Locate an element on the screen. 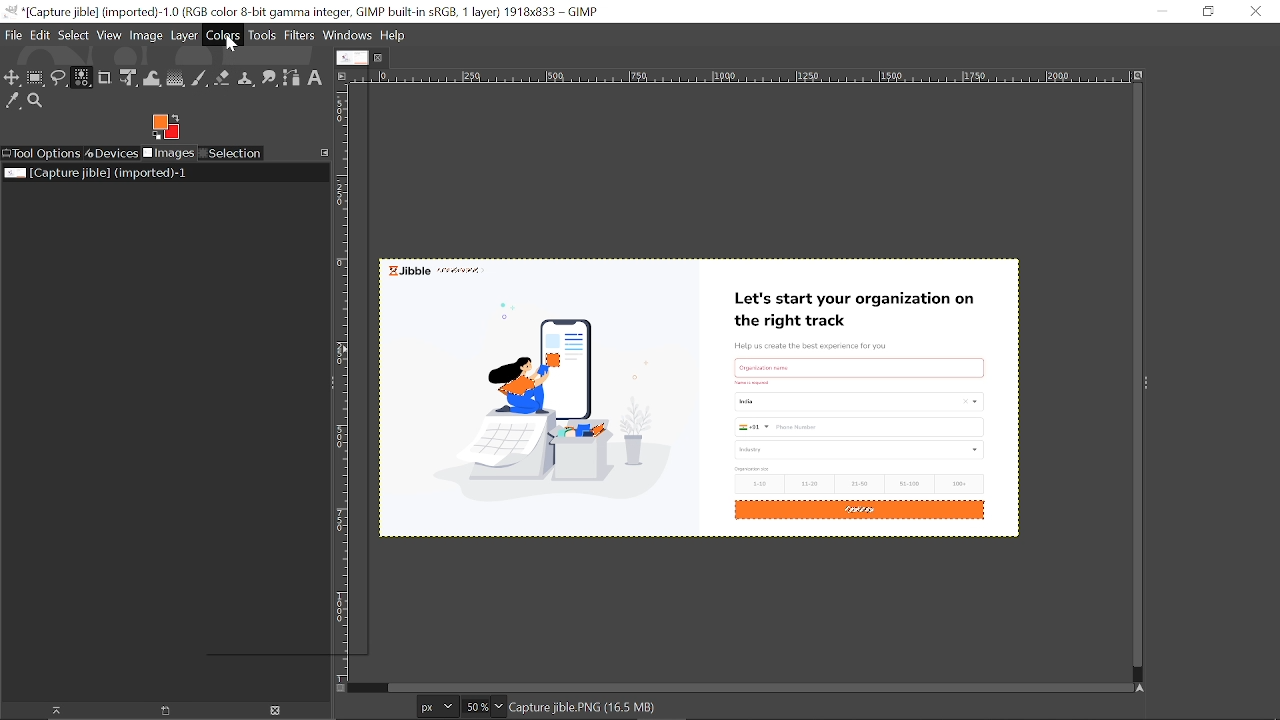 The height and width of the screenshot is (720, 1280). cursor is located at coordinates (232, 45).